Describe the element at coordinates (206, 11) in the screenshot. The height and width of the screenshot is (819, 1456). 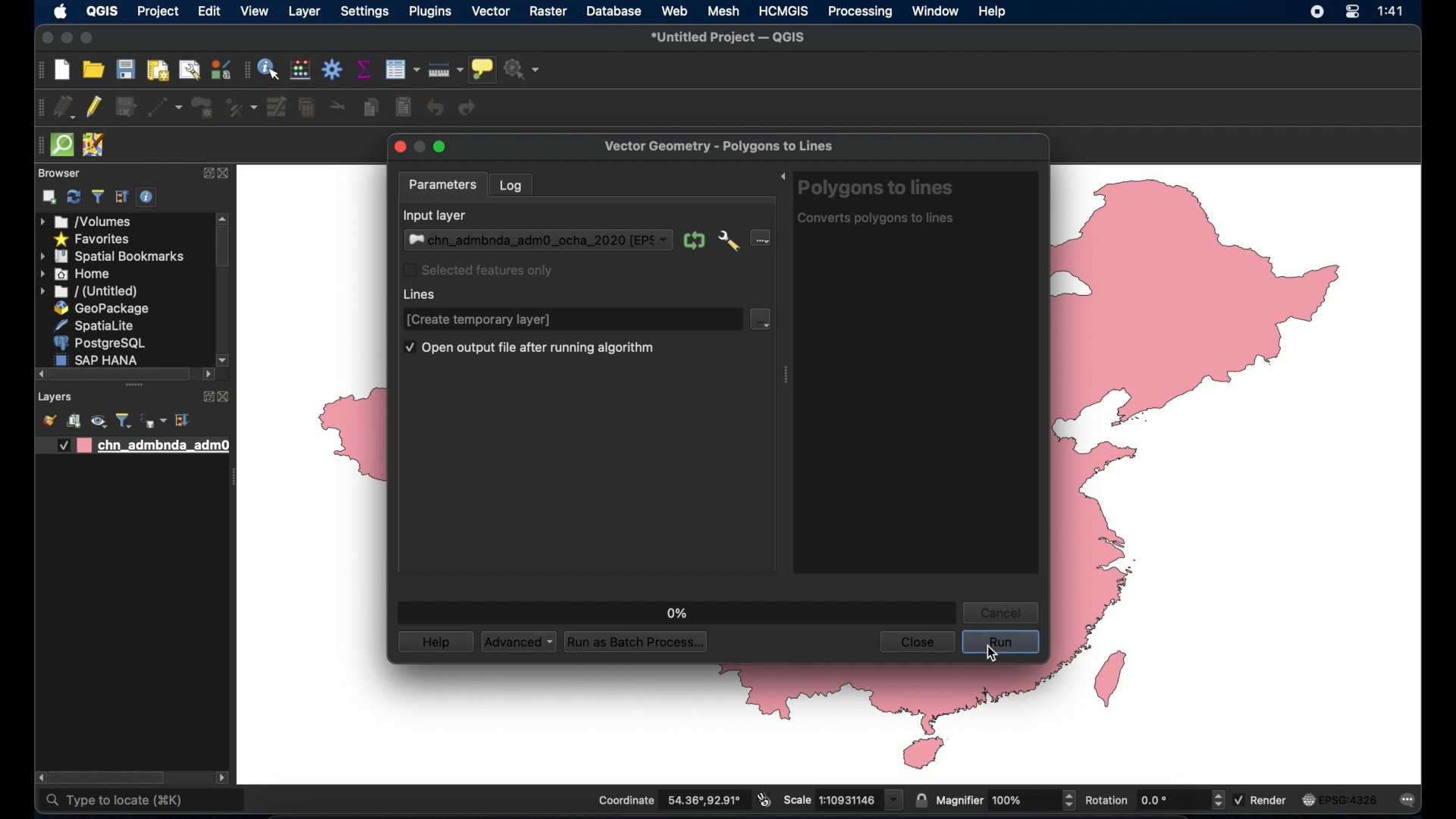
I see `edit` at that location.